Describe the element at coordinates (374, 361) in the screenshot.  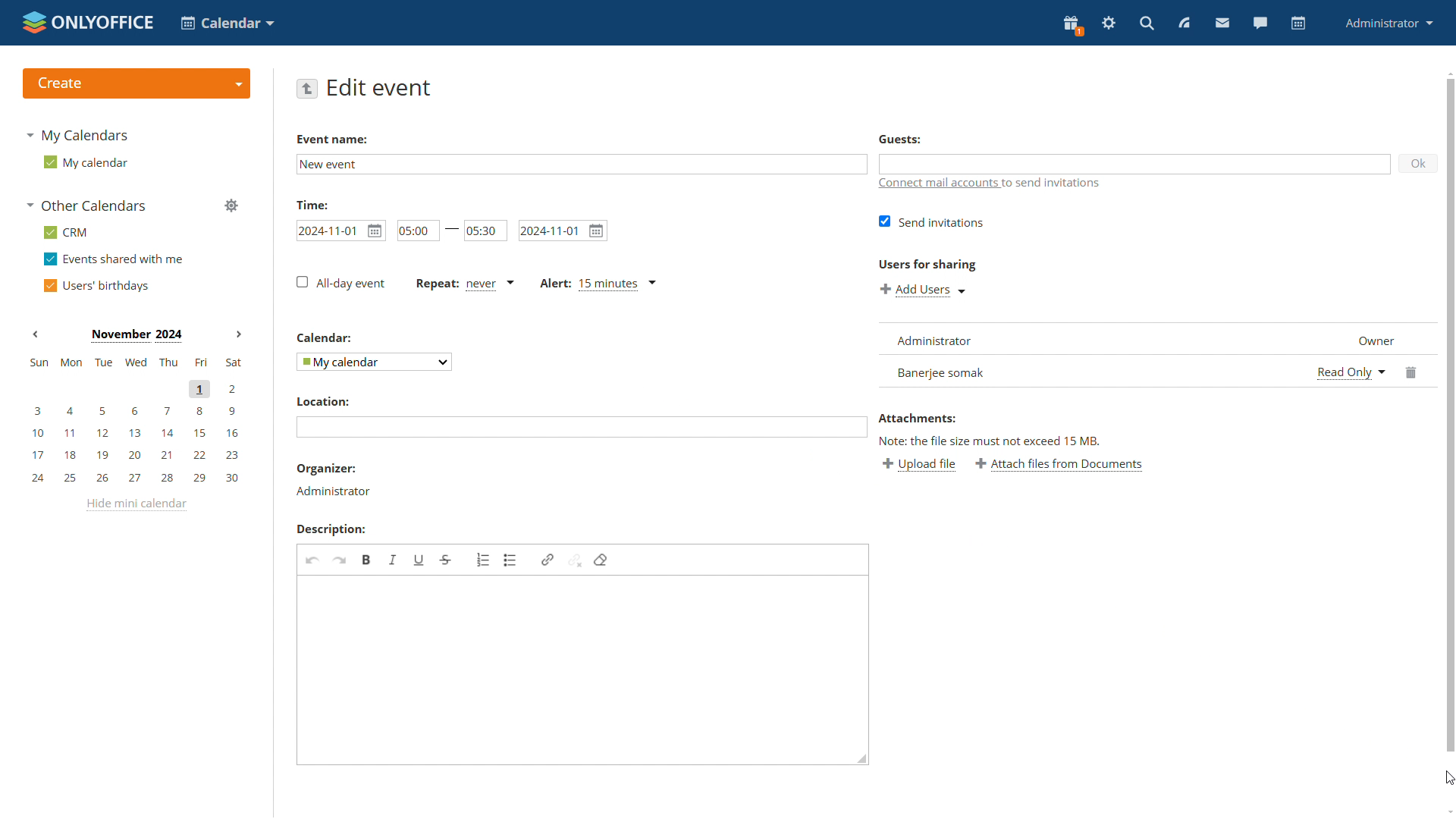
I see `select calendar` at that location.